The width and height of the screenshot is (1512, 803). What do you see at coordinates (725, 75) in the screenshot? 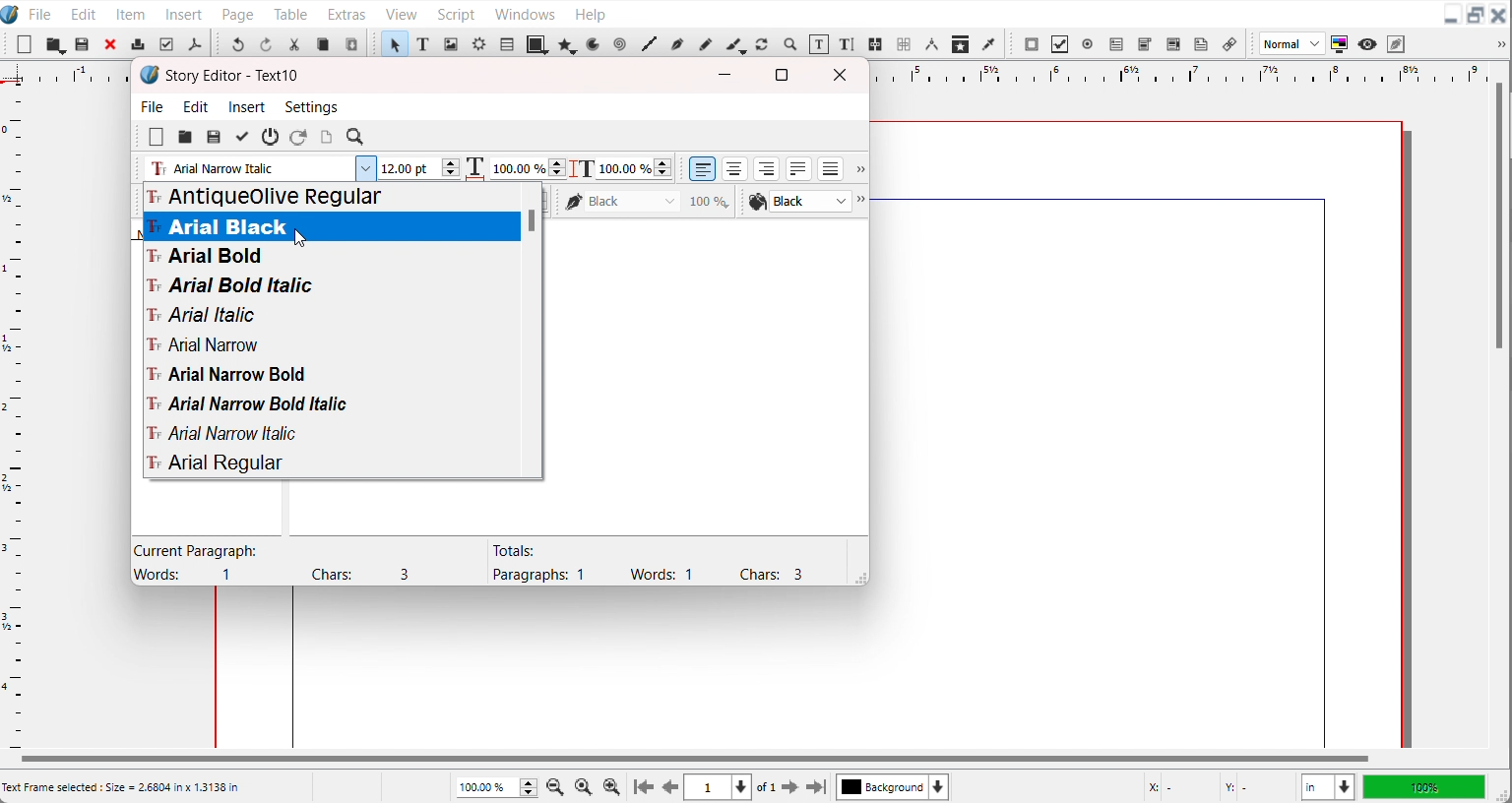
I see `Minimize` at bounding box center [725, 75].